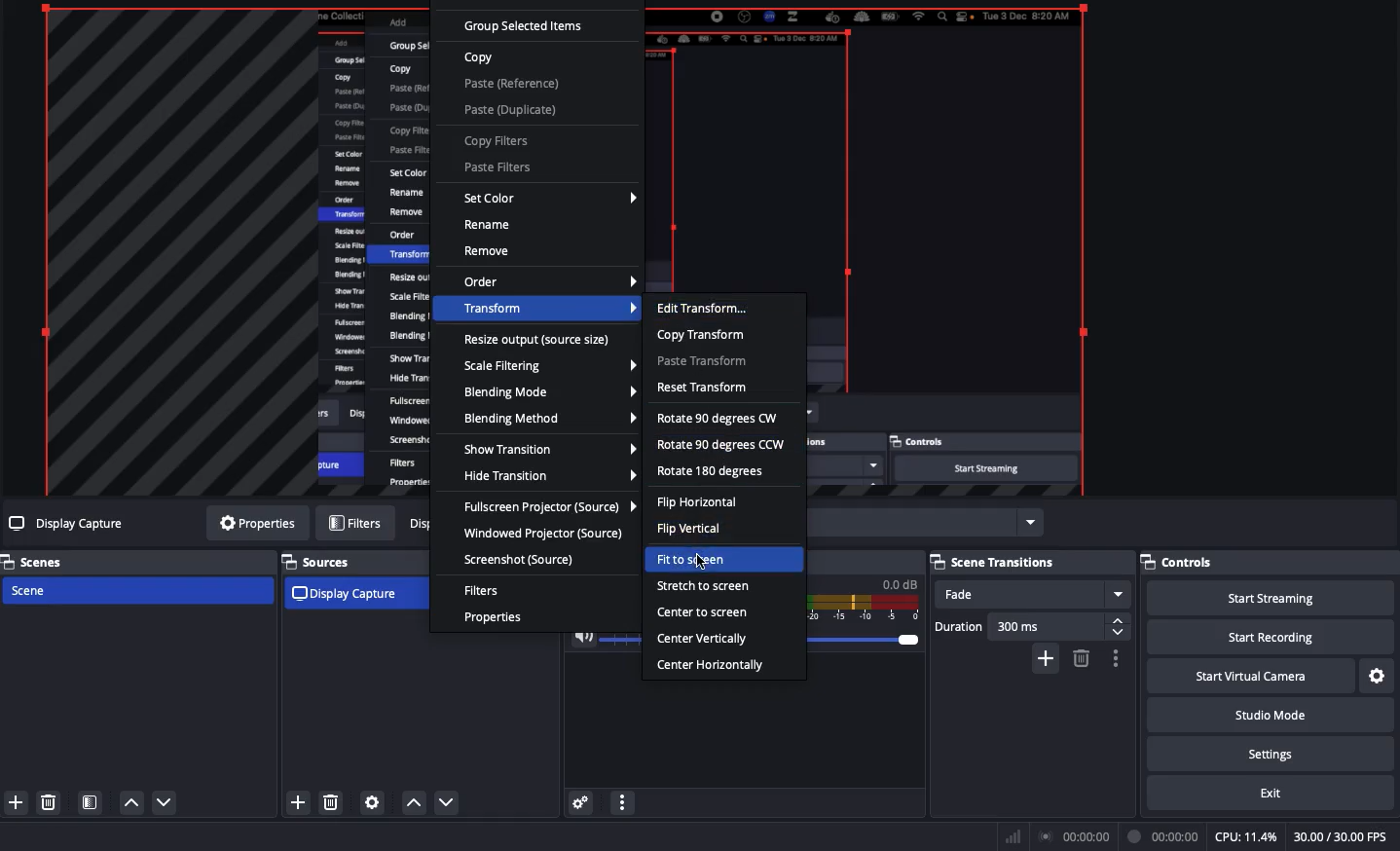  What do you see at coordinates (995, 564) in the screenshot?
I see `Scene transitions` at bounding box center [995, 564].